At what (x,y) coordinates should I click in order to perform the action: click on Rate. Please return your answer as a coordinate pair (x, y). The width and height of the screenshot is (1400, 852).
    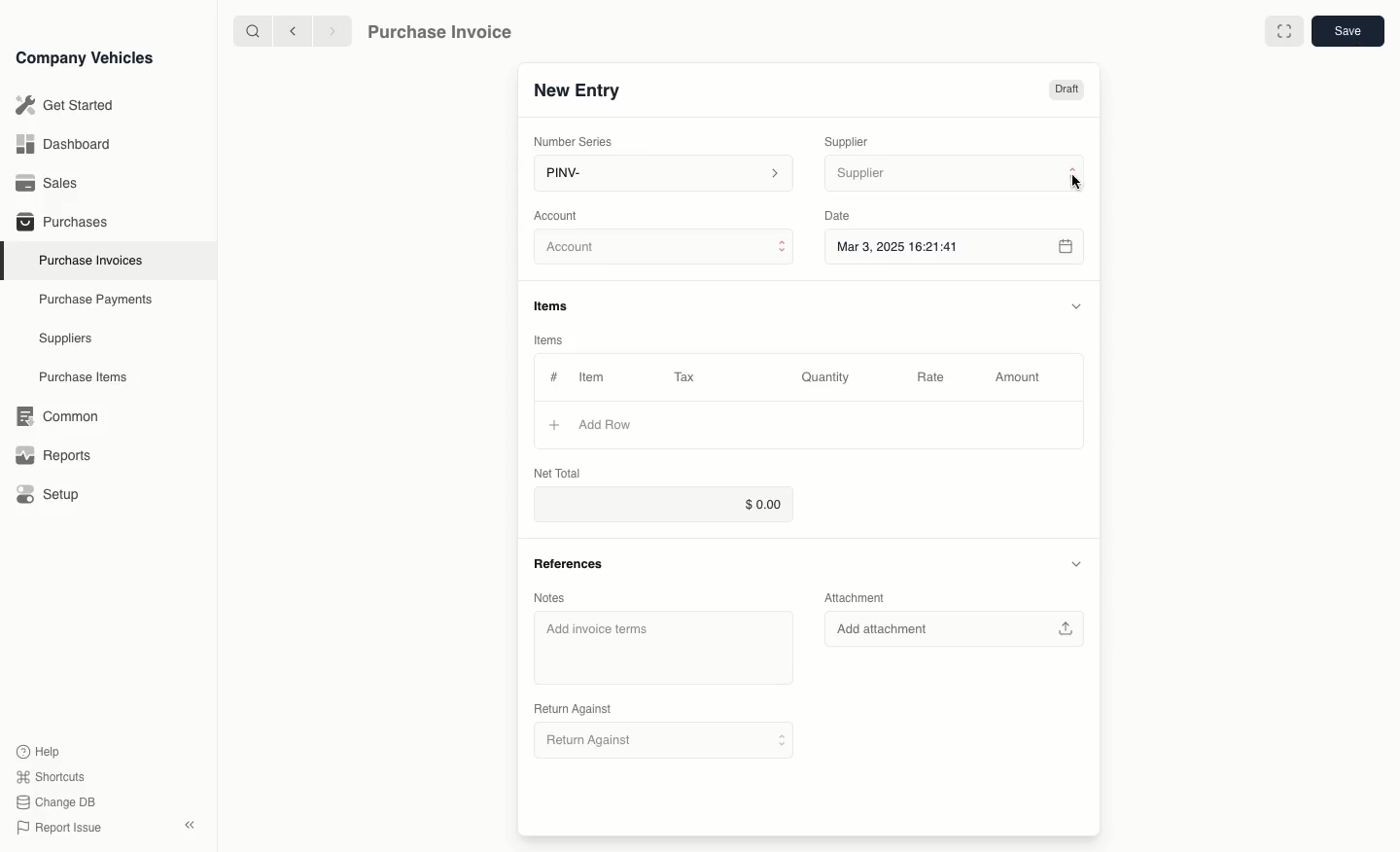
    Looking at the image, I should click on (932, 377).